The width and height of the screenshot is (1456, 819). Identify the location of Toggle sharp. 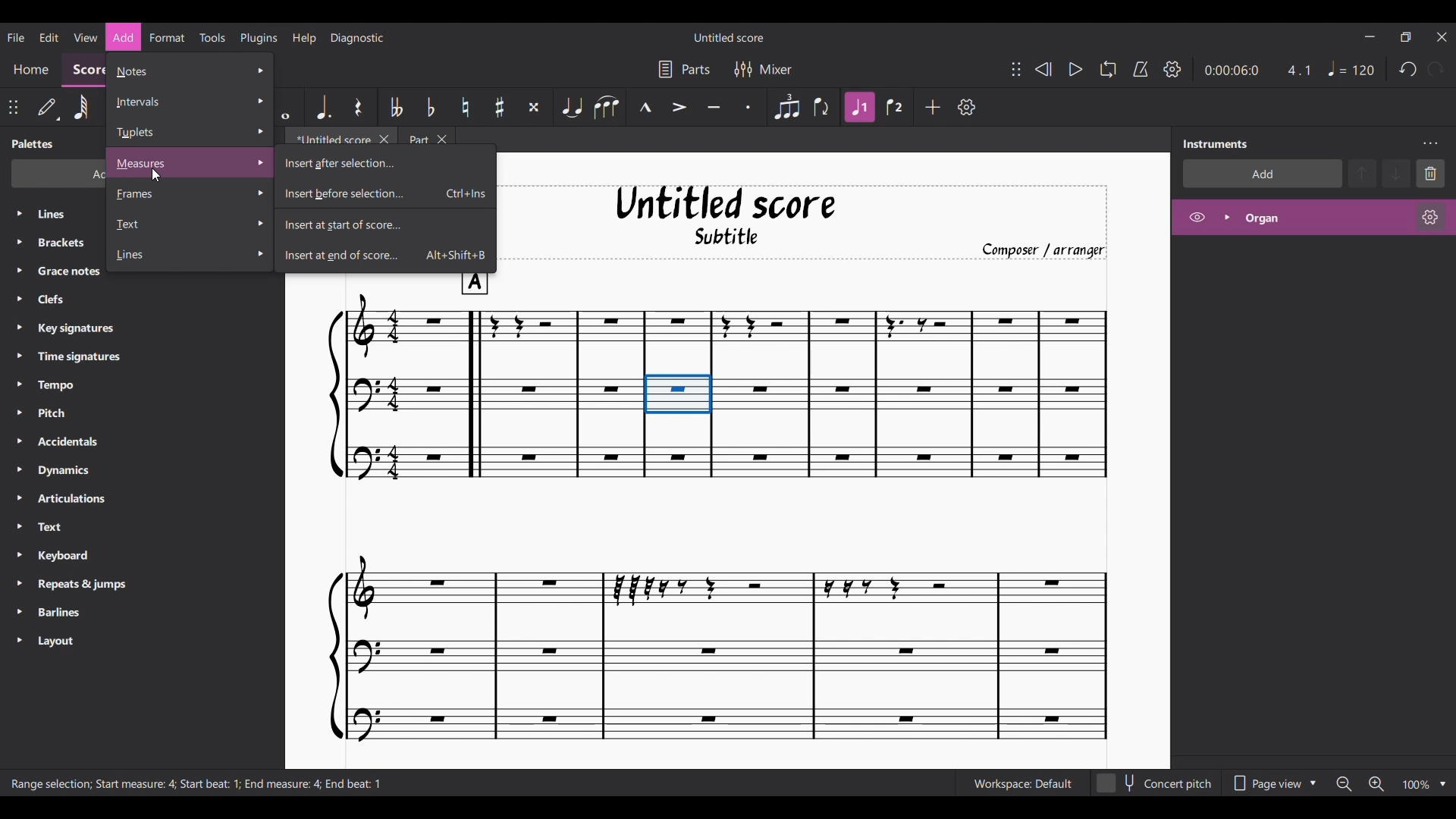
(499, 108).